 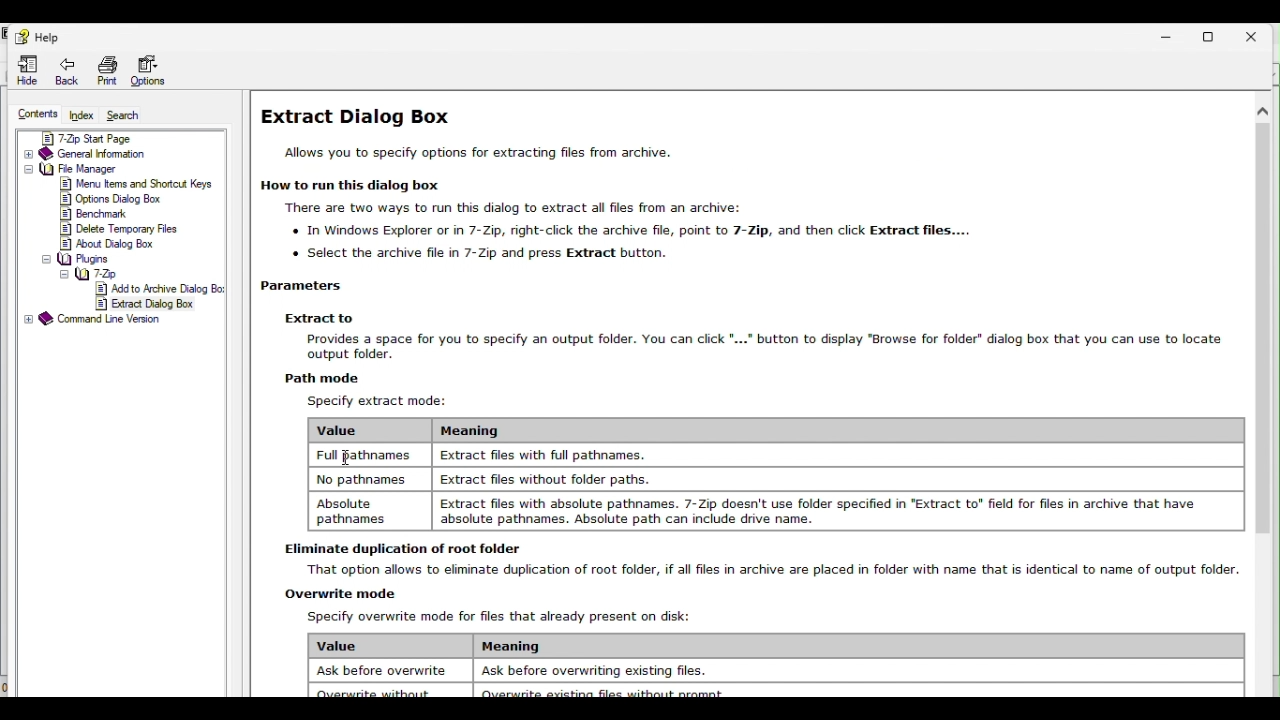 I want to click on back, so click(x=67, y=70).